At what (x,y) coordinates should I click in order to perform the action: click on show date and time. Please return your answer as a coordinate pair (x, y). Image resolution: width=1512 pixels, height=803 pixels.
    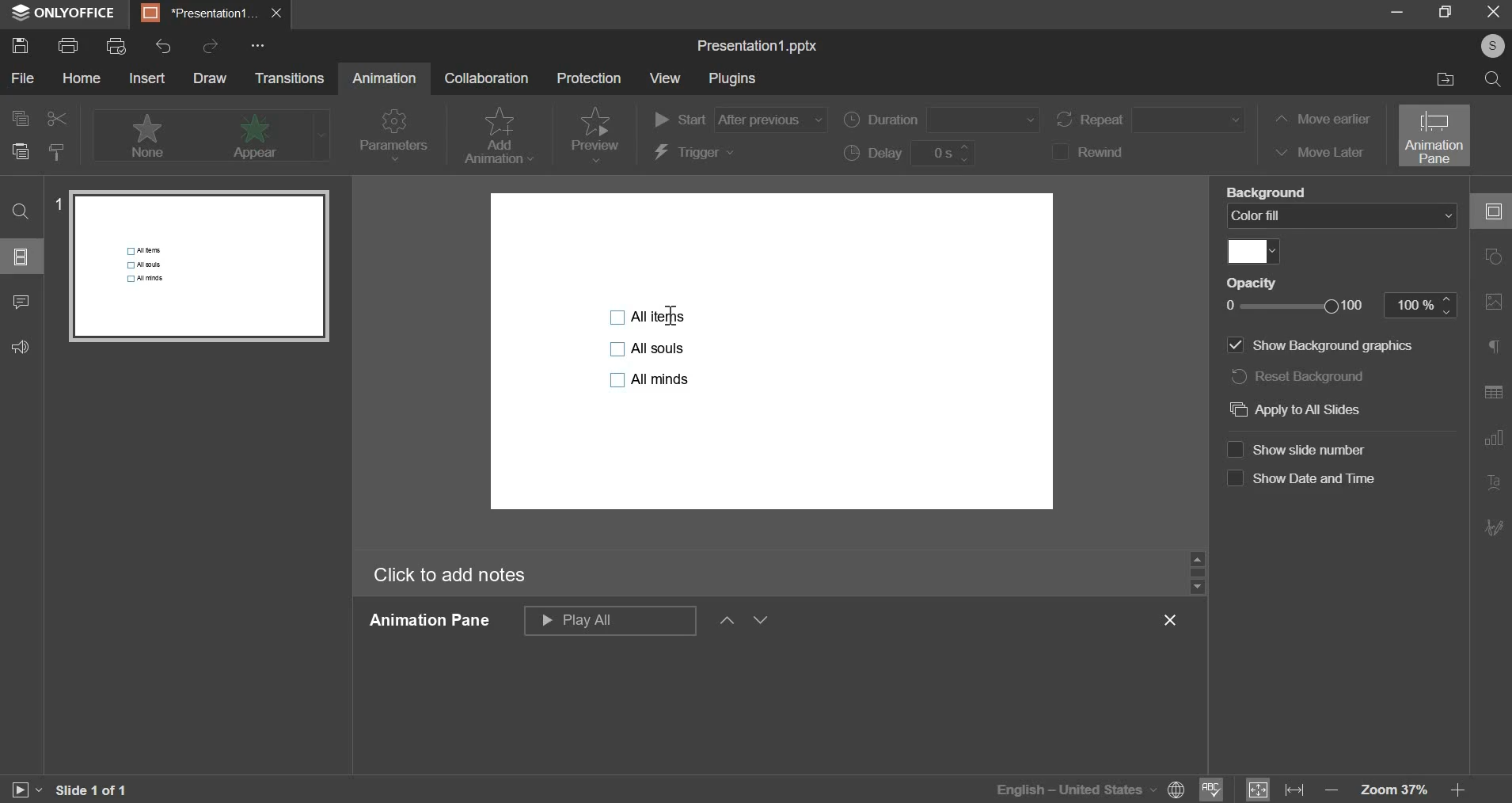
    Looking at the image, I should click on (1301, 479).